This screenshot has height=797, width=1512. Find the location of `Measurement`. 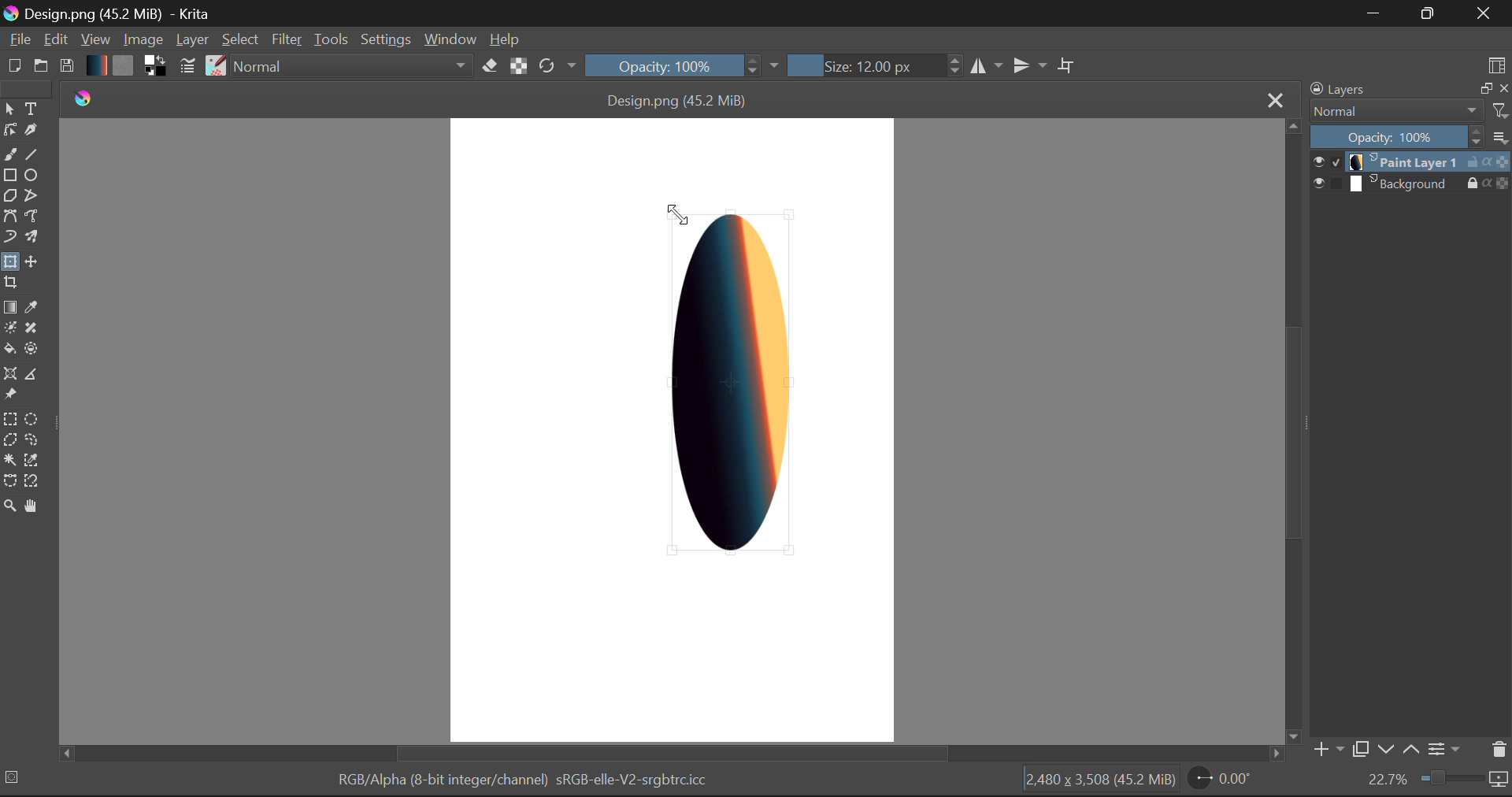

Measurement is located at coordinates (32, 376).